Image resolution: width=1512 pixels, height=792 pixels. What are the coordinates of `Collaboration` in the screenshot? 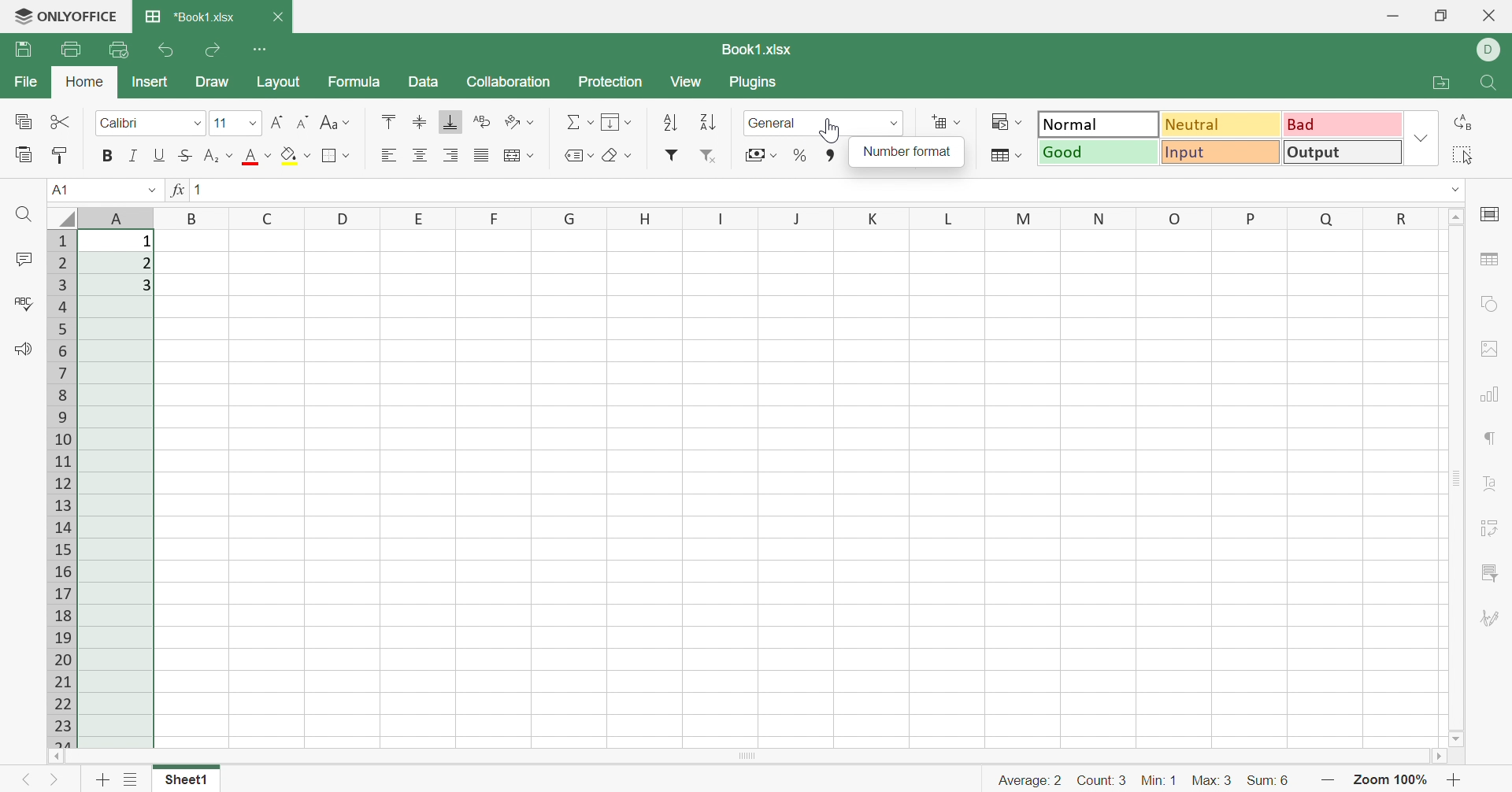 It's located at (508, 83).